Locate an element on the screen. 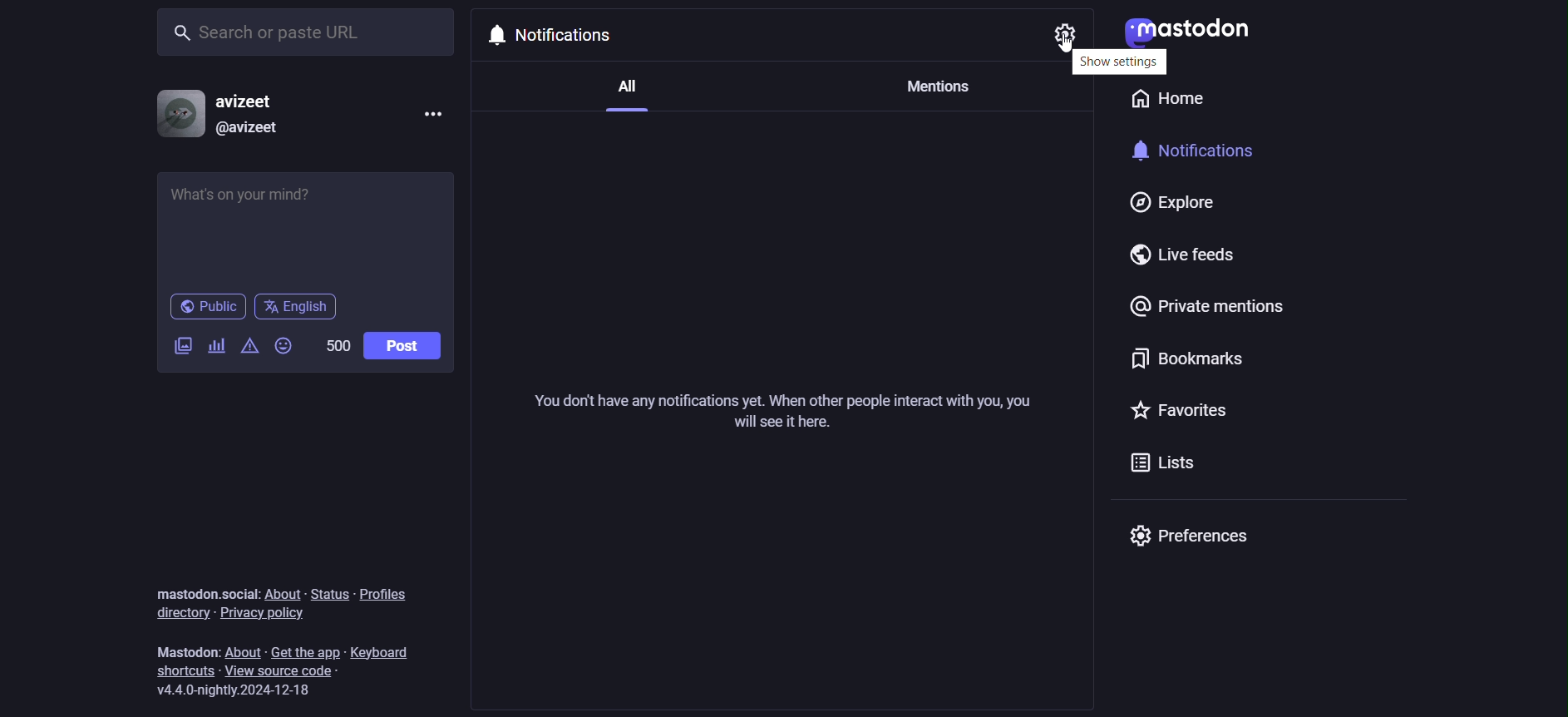  all is located at coordinates (624, 98).